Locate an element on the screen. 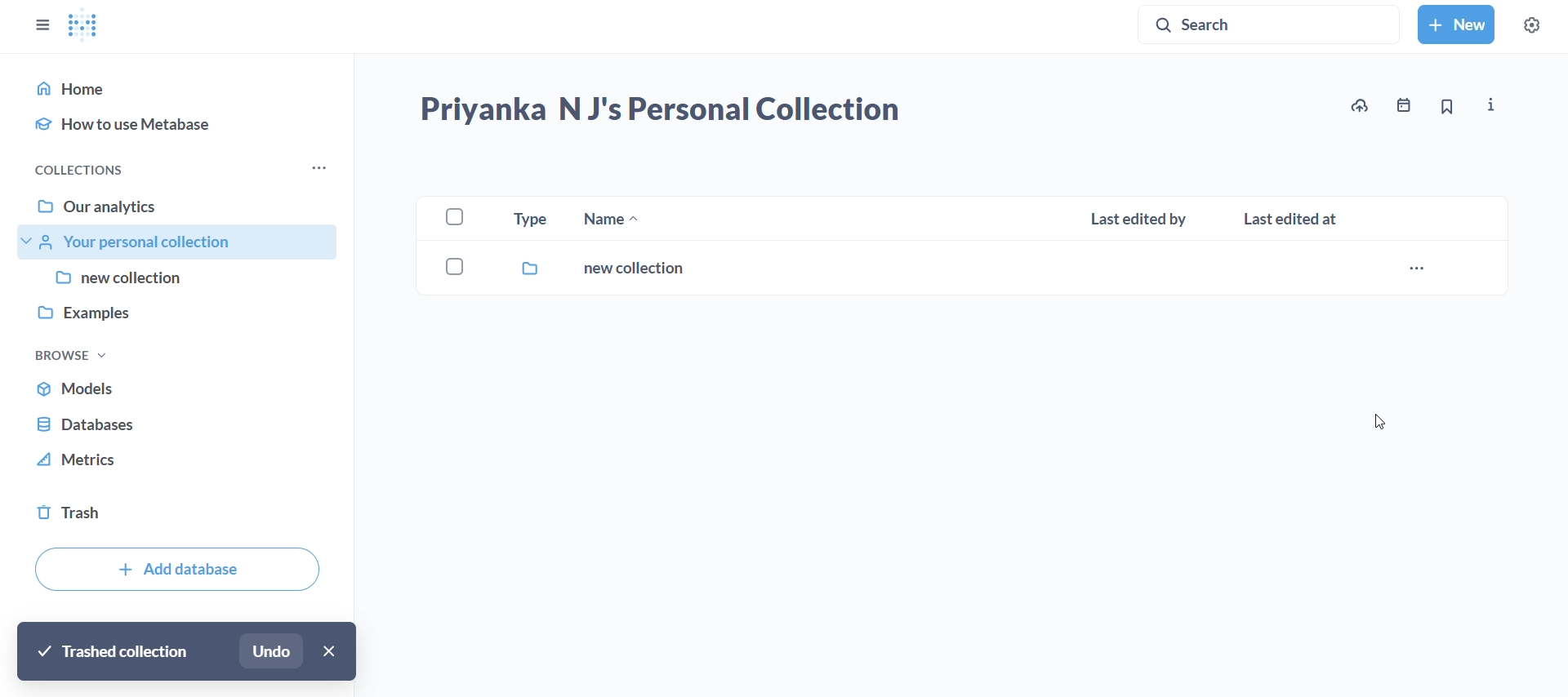  database is located at coordinates (176, 425).